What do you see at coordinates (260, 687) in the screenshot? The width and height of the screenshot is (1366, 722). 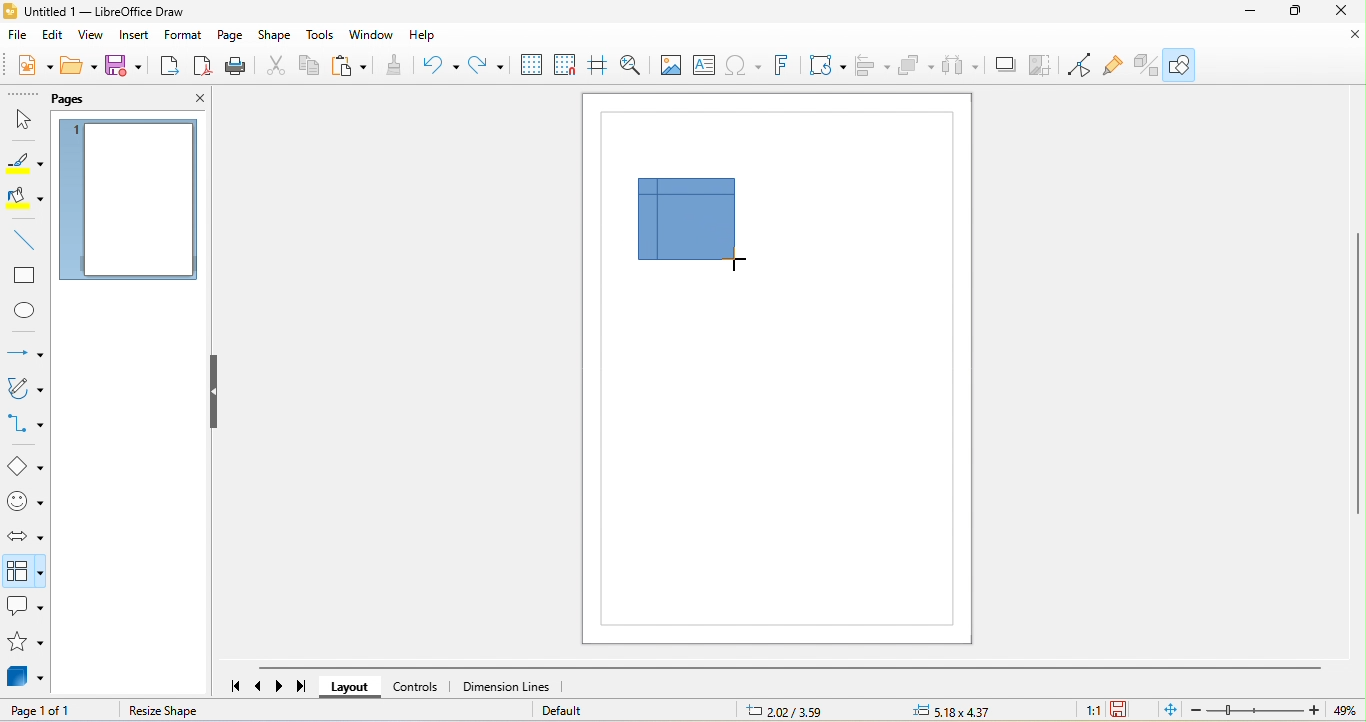 I see `scroll to previous page` at bounding box center [260, 687].